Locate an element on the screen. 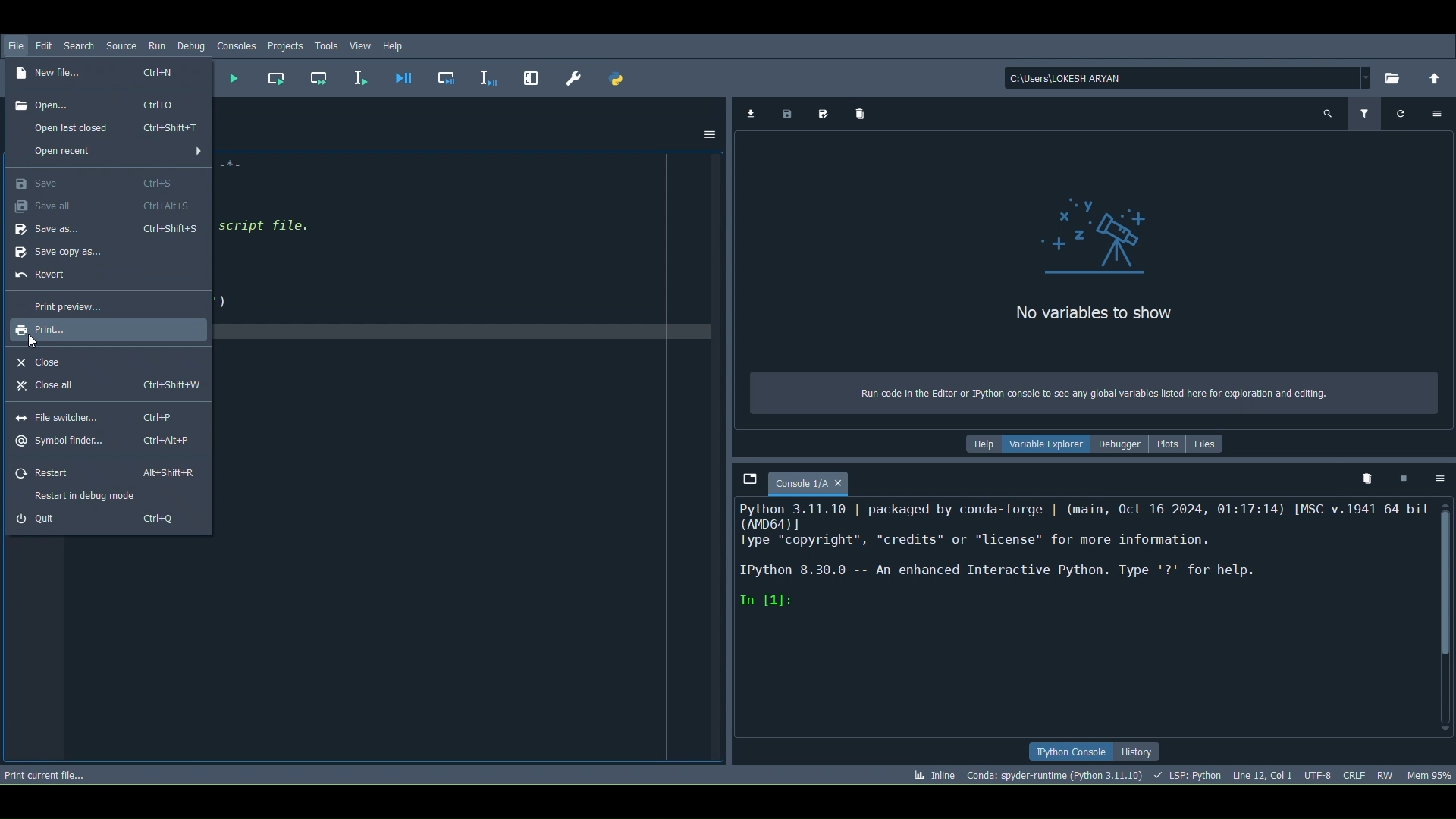 The width and height of the screenshot is (1456, 819). Print preview is located at coordinates (60, 303).